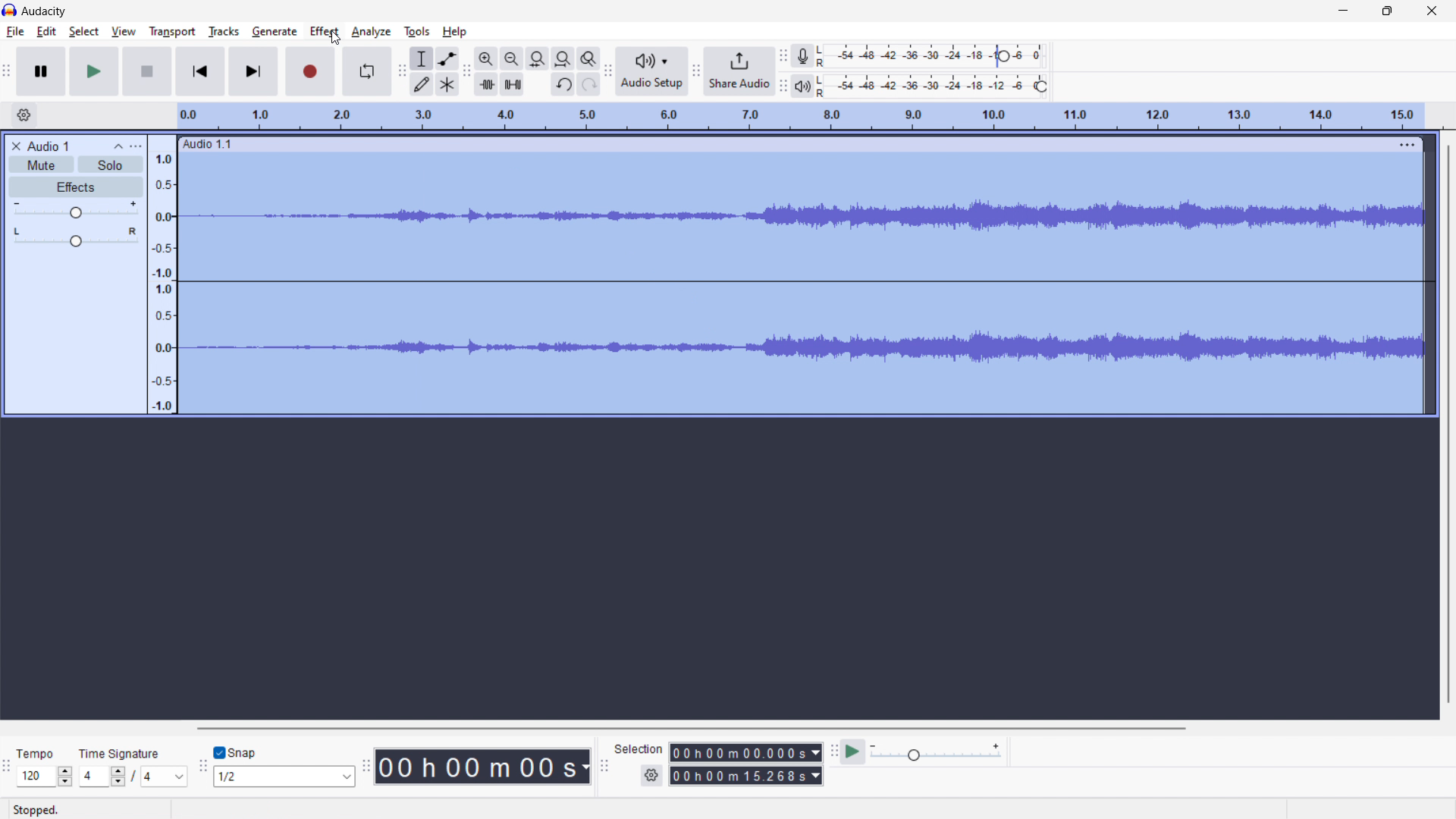 Image resolution: width=1456 pixels, height=819 pixels. I want to click on set tempo, so click(45, 767).